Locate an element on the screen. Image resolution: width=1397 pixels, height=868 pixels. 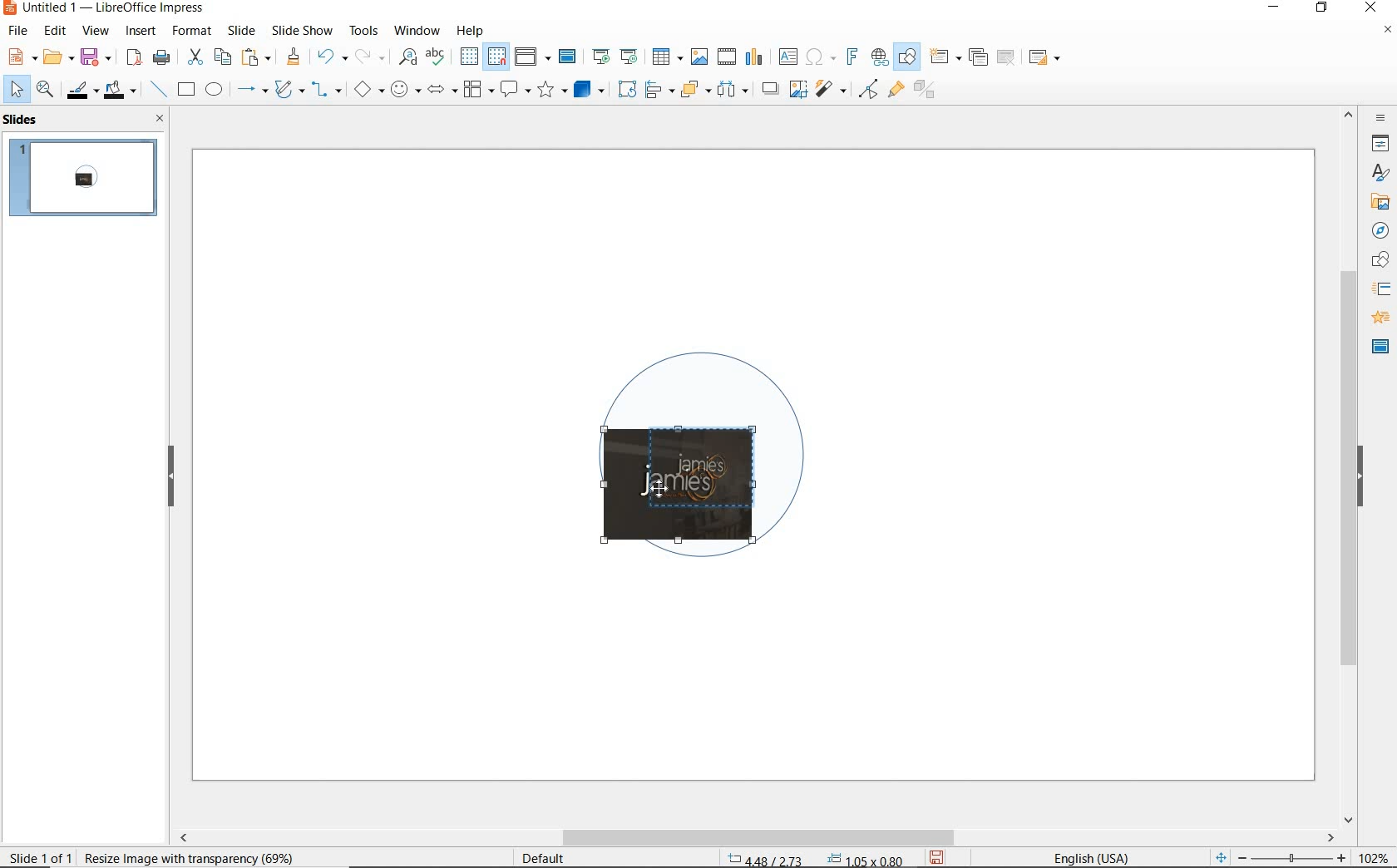
close is located at coordinates (1370, 8).